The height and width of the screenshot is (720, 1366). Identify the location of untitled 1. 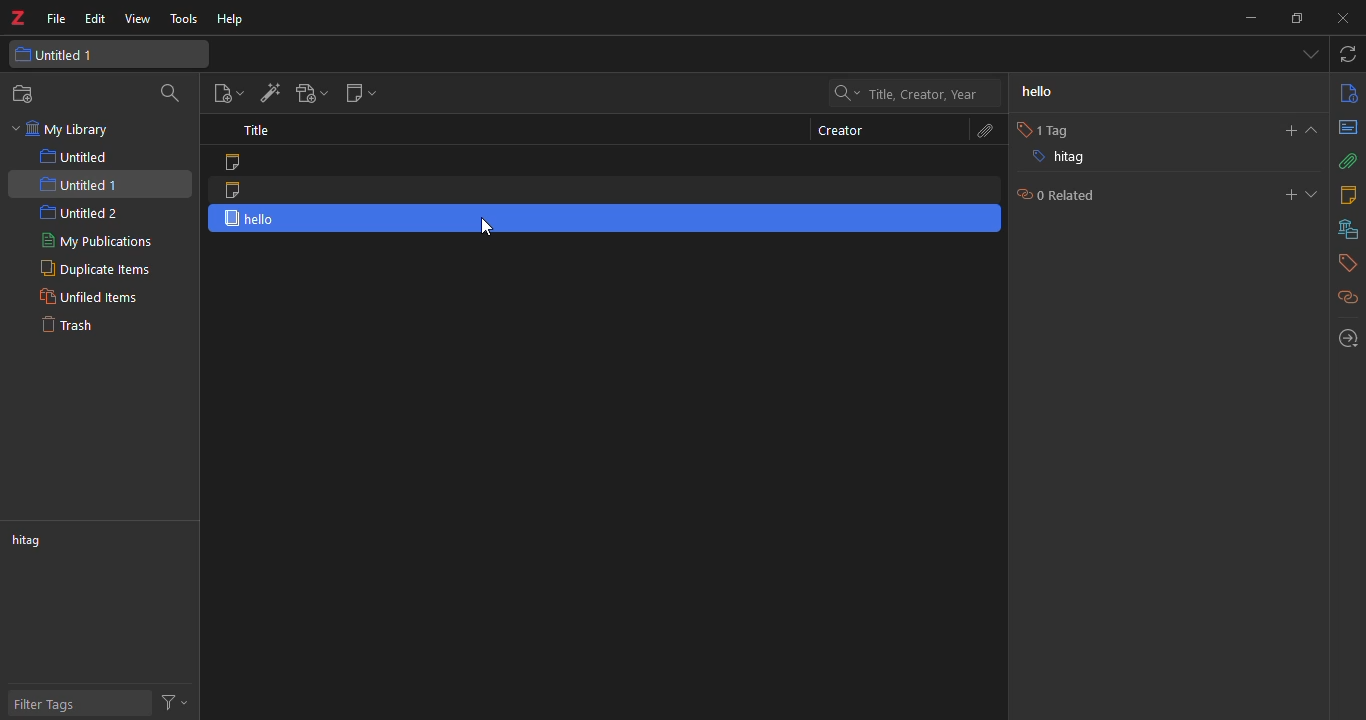
(57, 56).